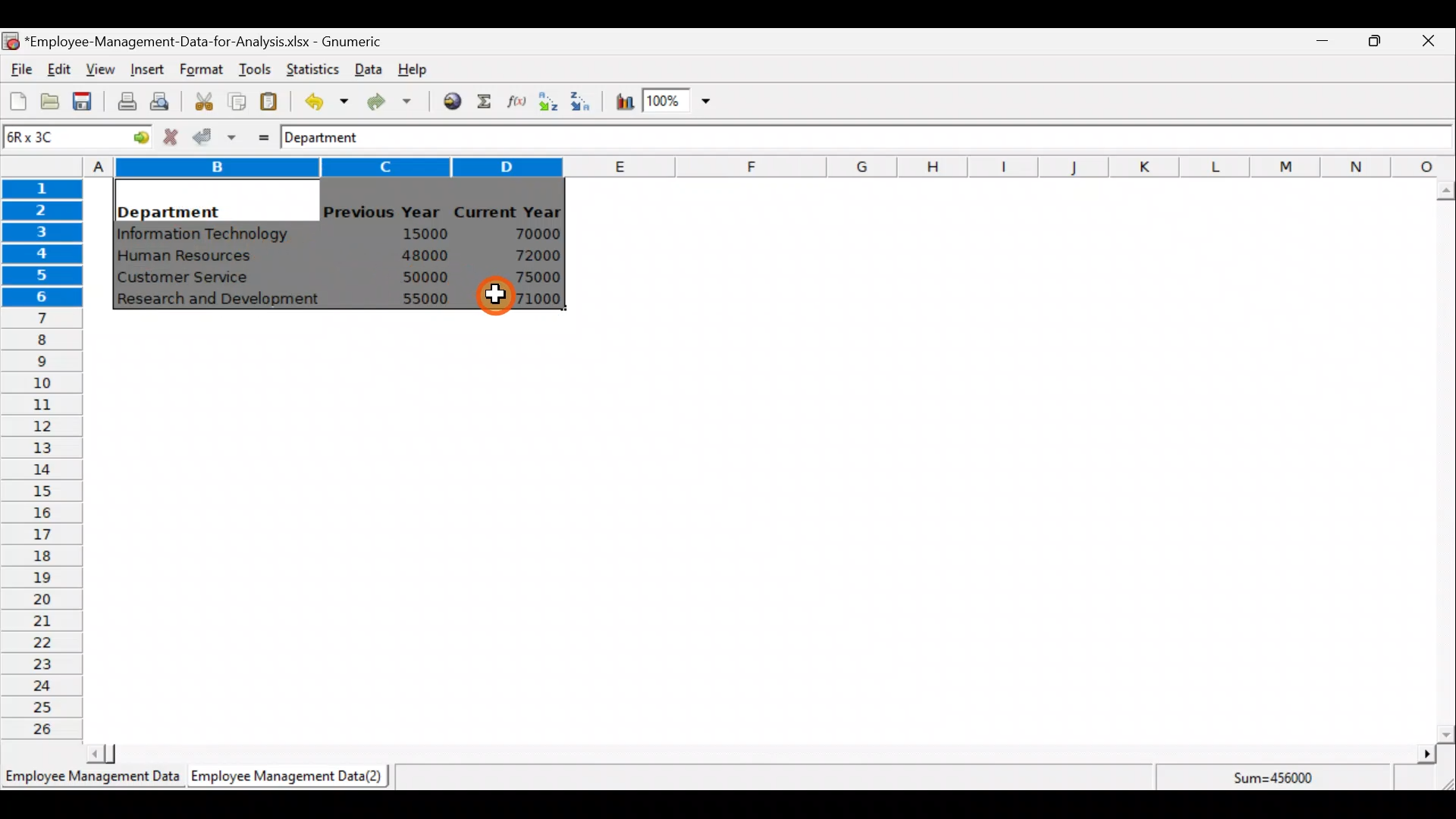 This screenshot has height=819, width=1456. I want to click on 71000, so click(533, 299).